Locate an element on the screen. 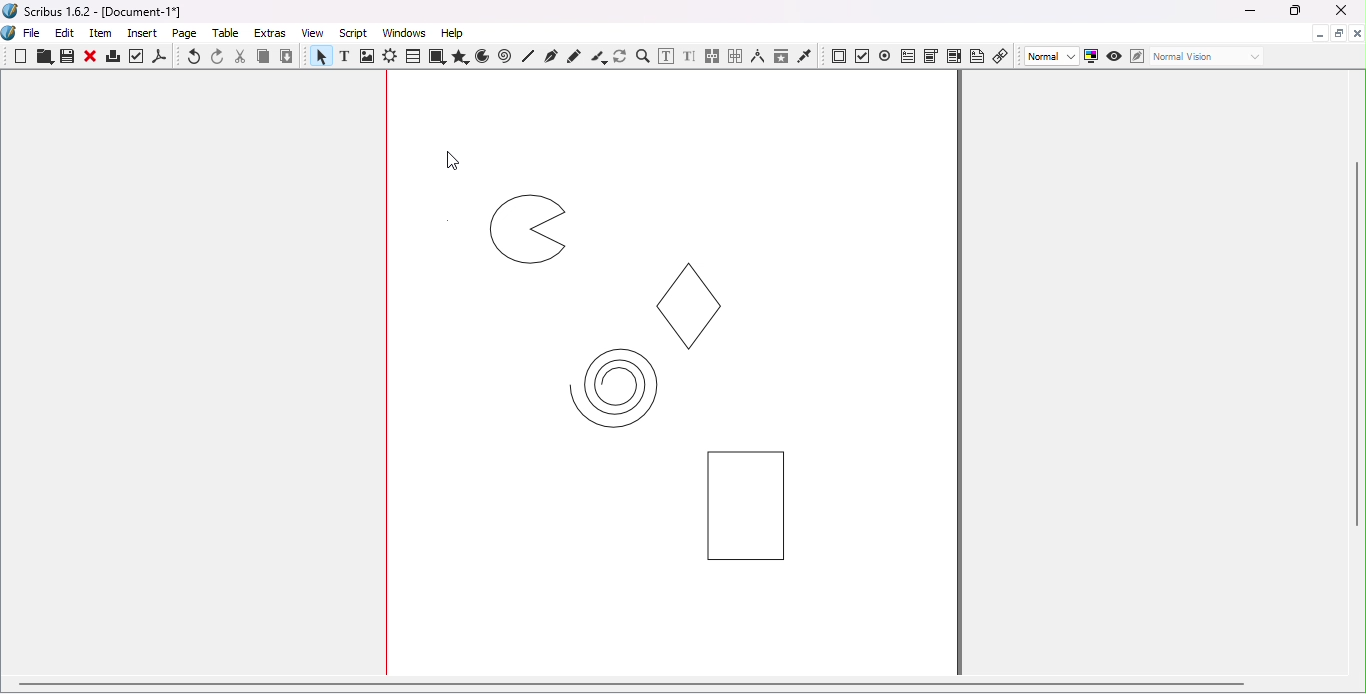 Image resolution: width=1366 pixels, height=694 pixels. Insert is located at coordinates (145, 31).